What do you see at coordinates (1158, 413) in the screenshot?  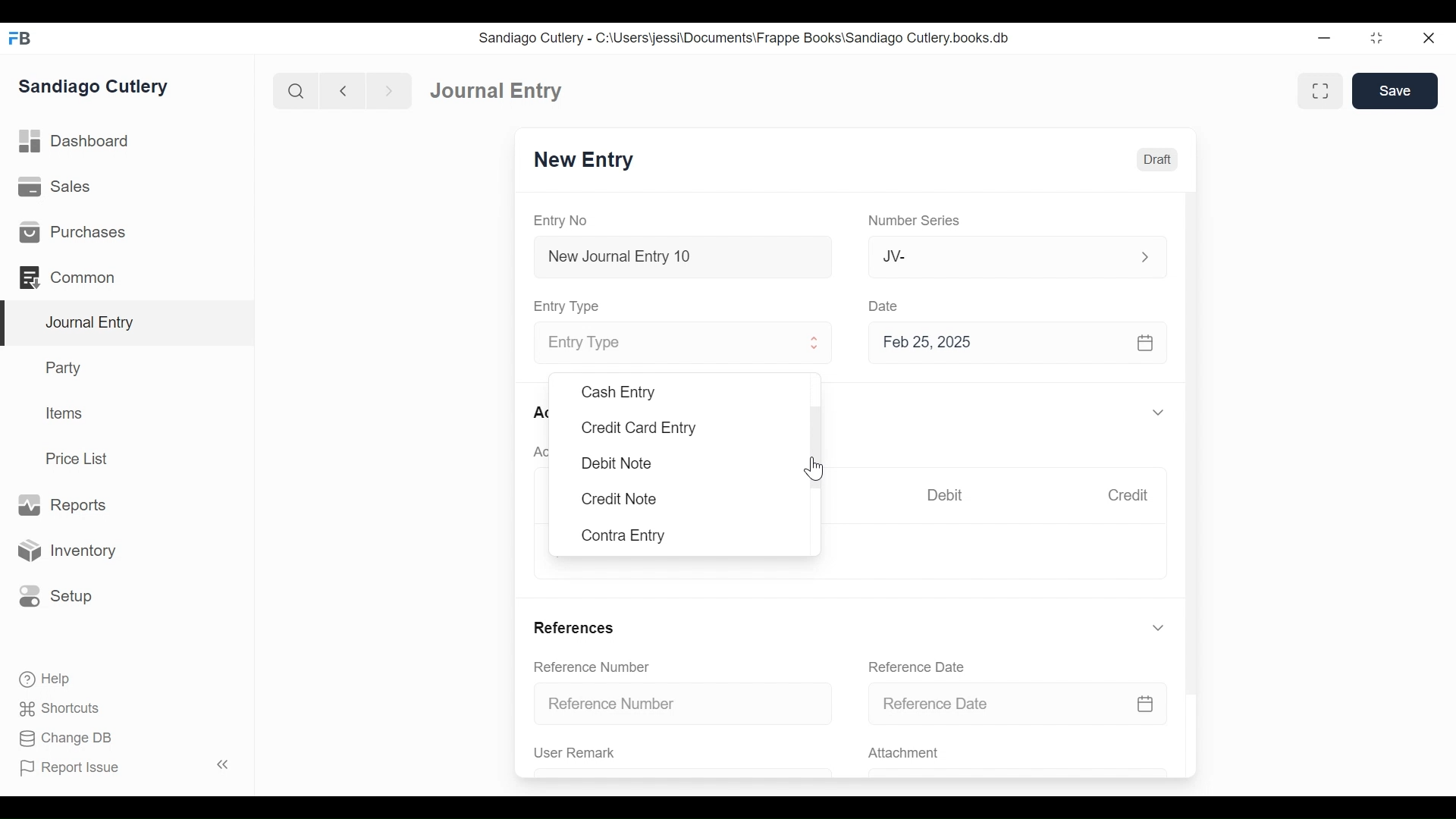 I see `Expand` at bounding box center [1158, 413].